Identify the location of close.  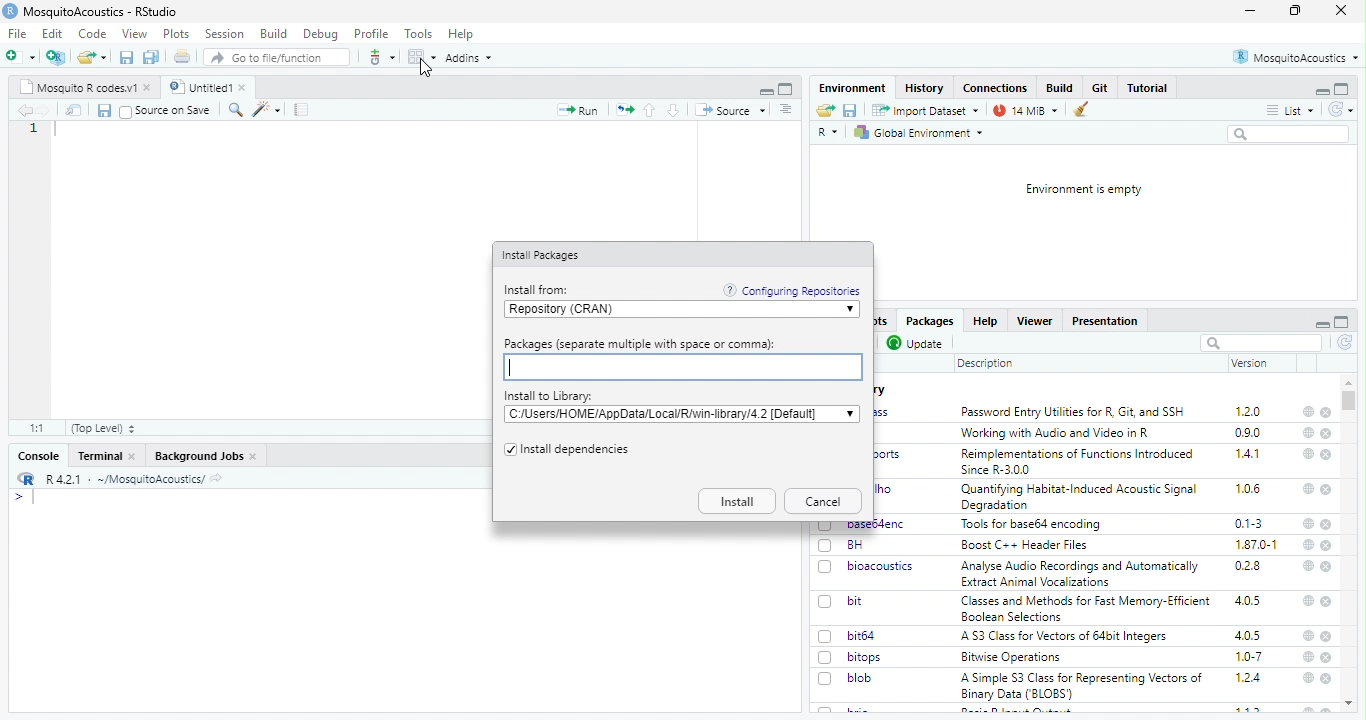
(1327, 658).